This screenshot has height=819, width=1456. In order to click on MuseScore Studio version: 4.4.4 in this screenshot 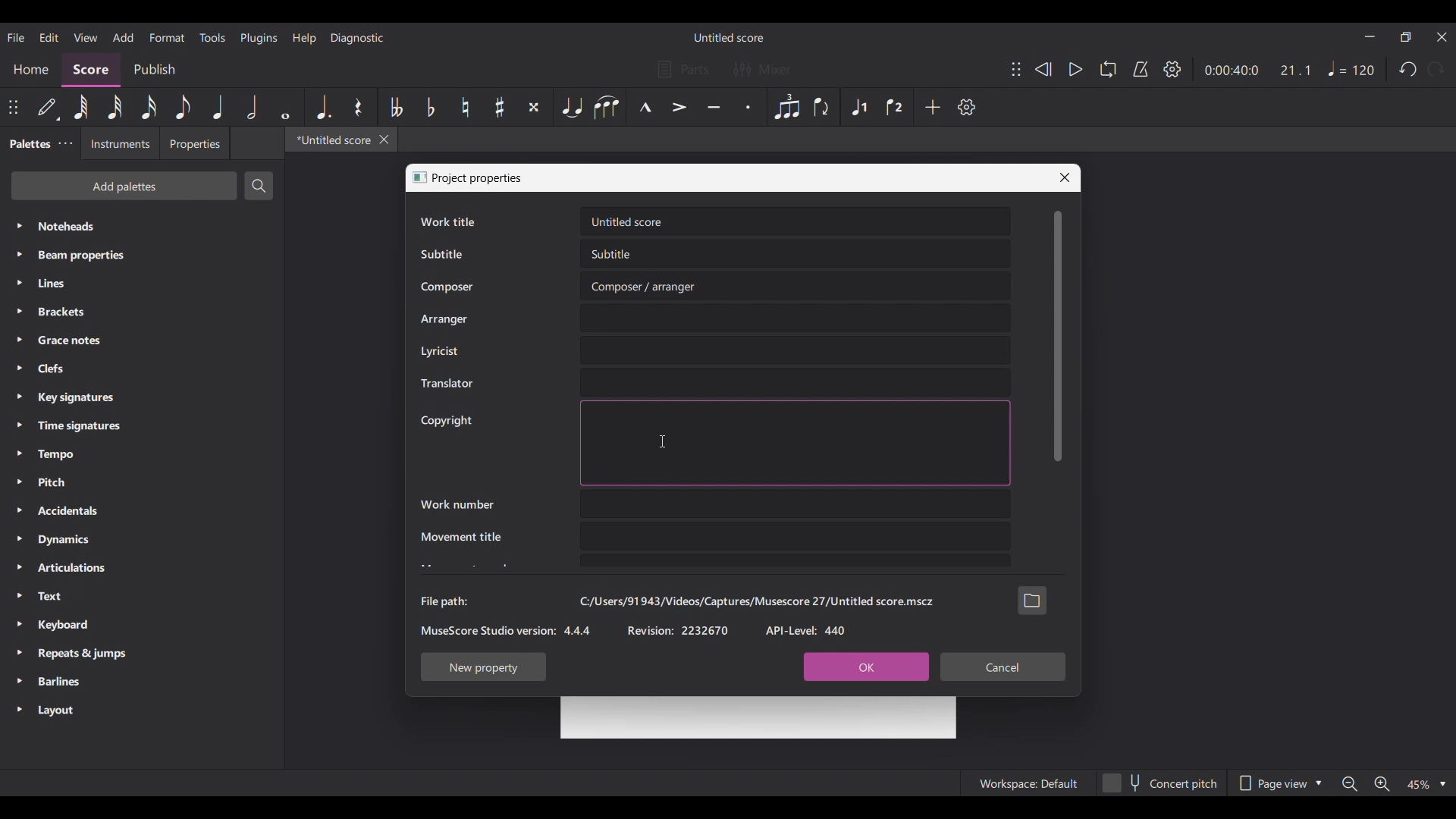, I will do `click(506, 630)`.